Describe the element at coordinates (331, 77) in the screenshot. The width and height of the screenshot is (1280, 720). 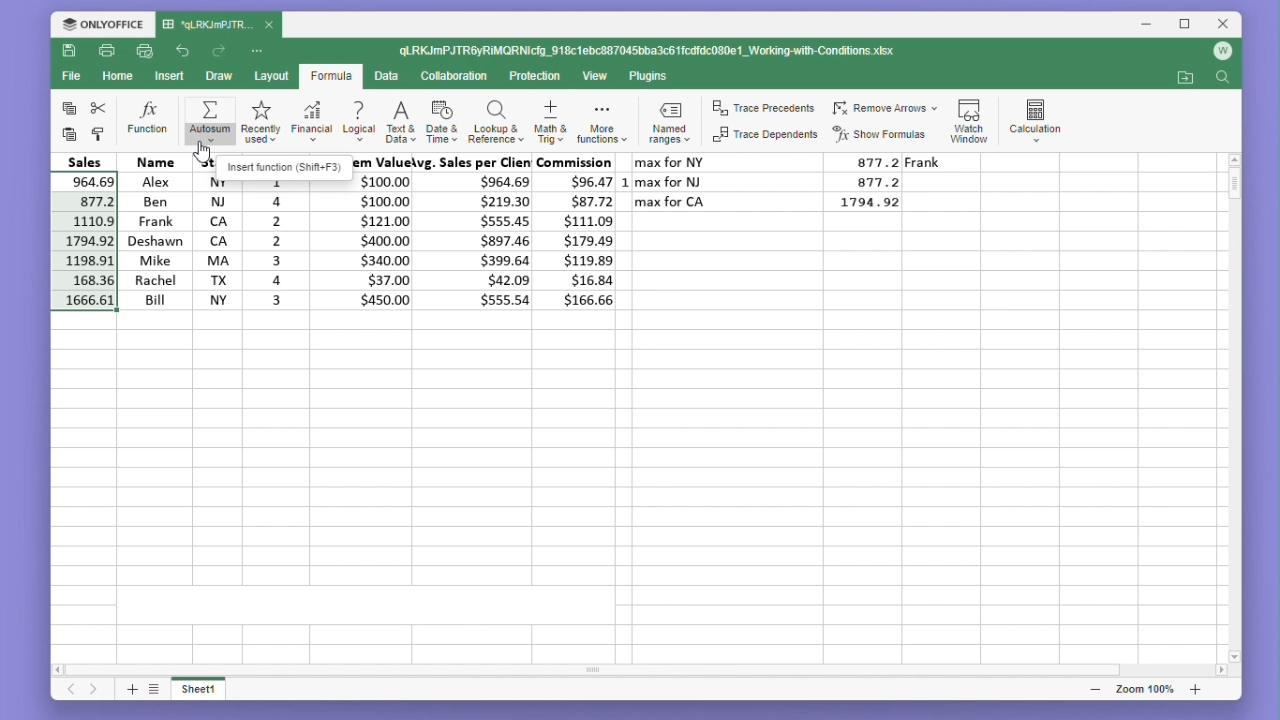
I see `Formula` at that location.